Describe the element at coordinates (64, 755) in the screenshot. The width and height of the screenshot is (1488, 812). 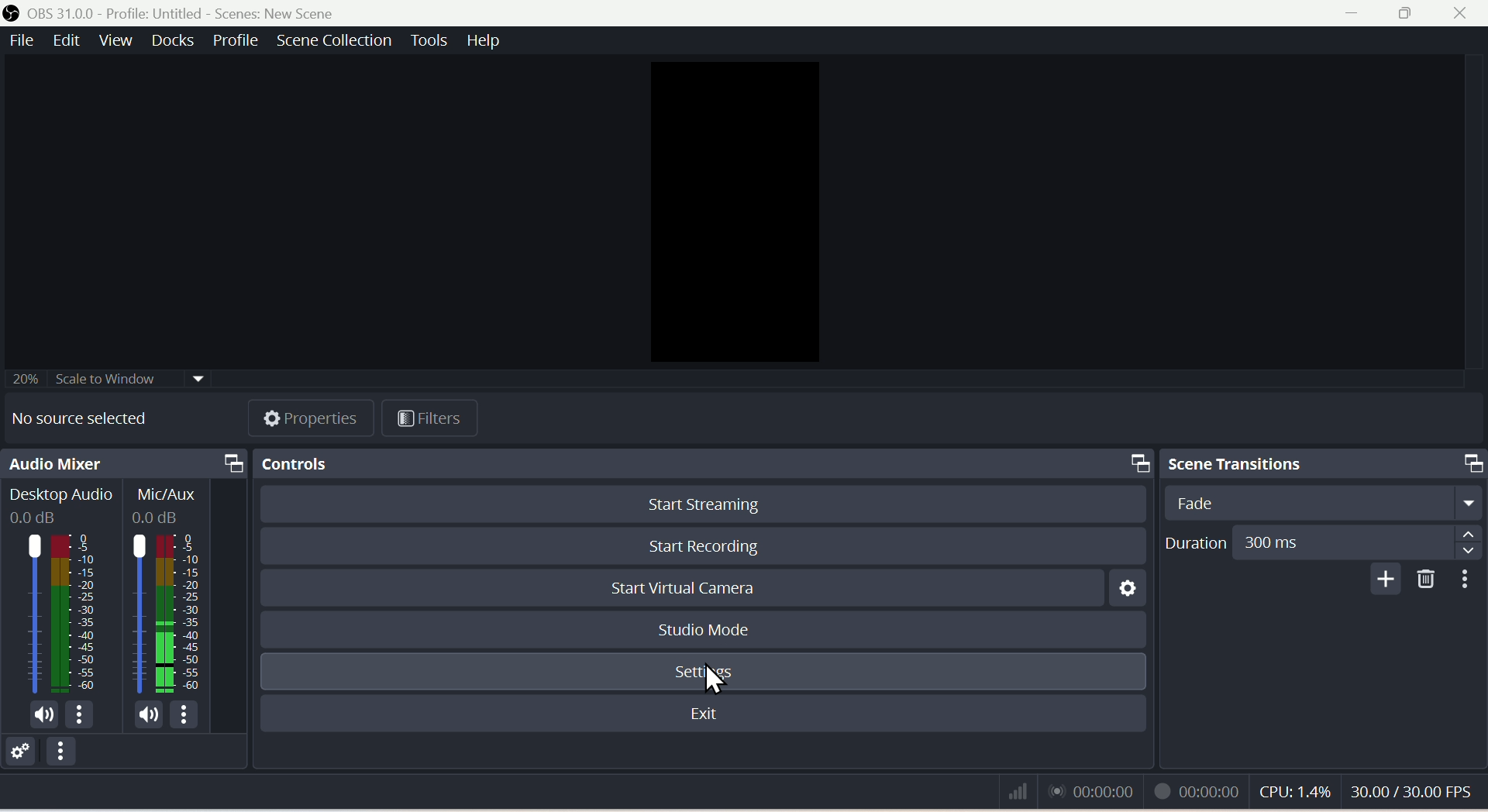
I see `Options` at that location.